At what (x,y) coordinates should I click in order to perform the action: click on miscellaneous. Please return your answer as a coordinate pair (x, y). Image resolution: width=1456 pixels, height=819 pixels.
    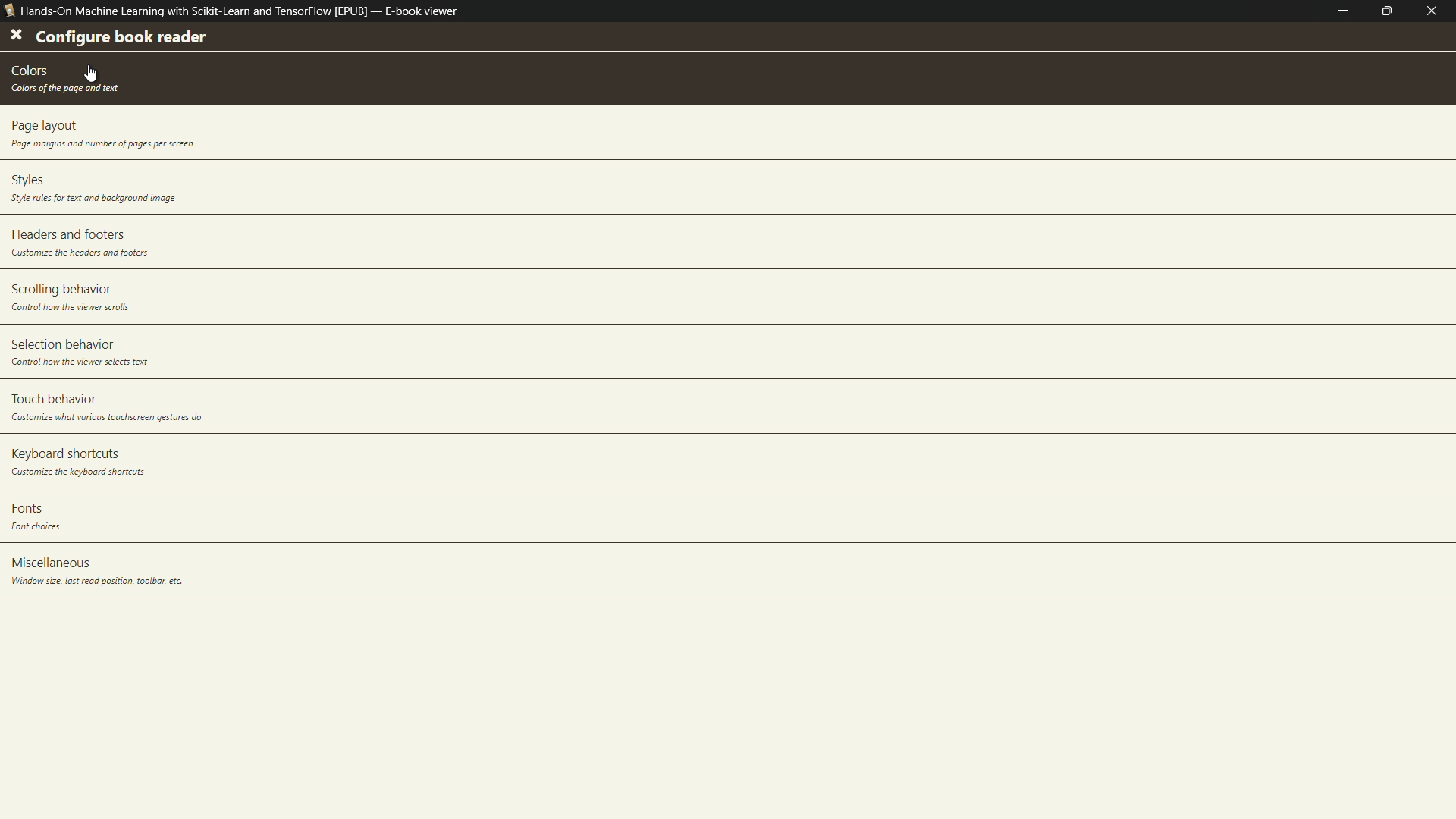
    Looking at the image, I should click on (52, 562).